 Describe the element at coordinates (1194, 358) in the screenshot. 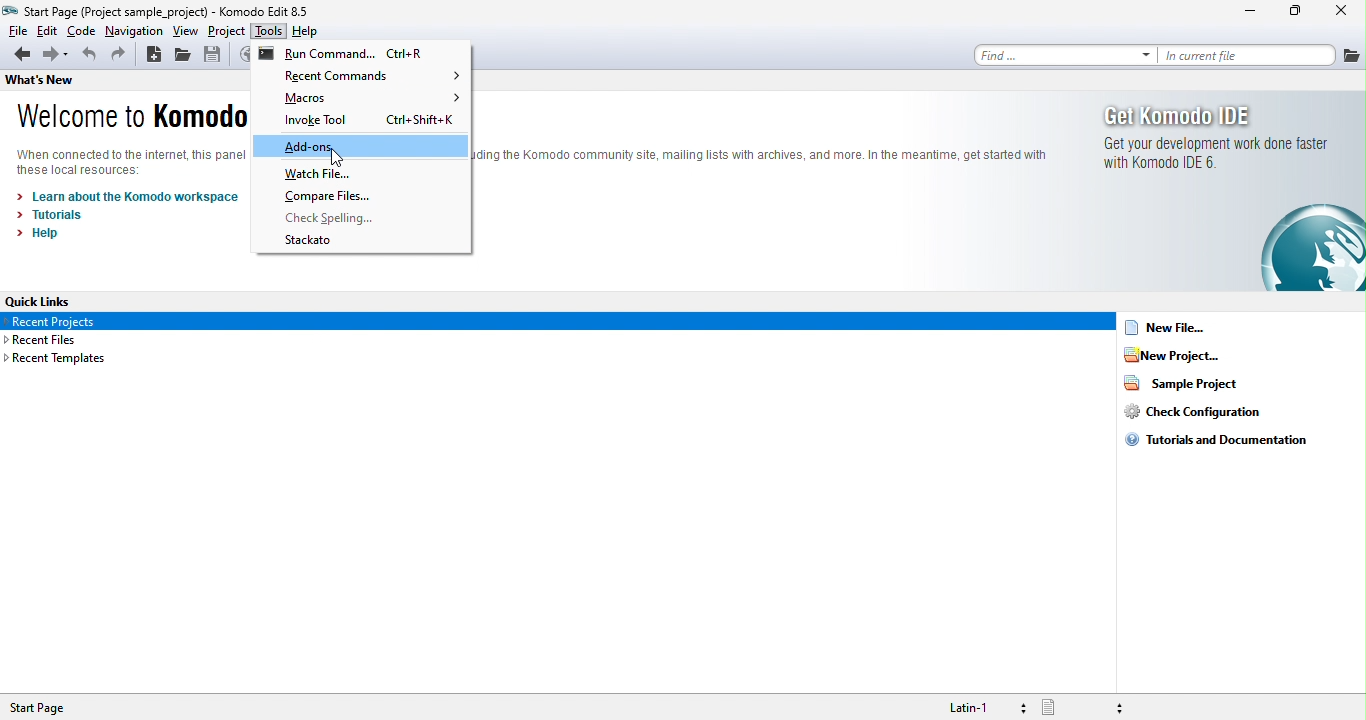

I see `new project` at that location.